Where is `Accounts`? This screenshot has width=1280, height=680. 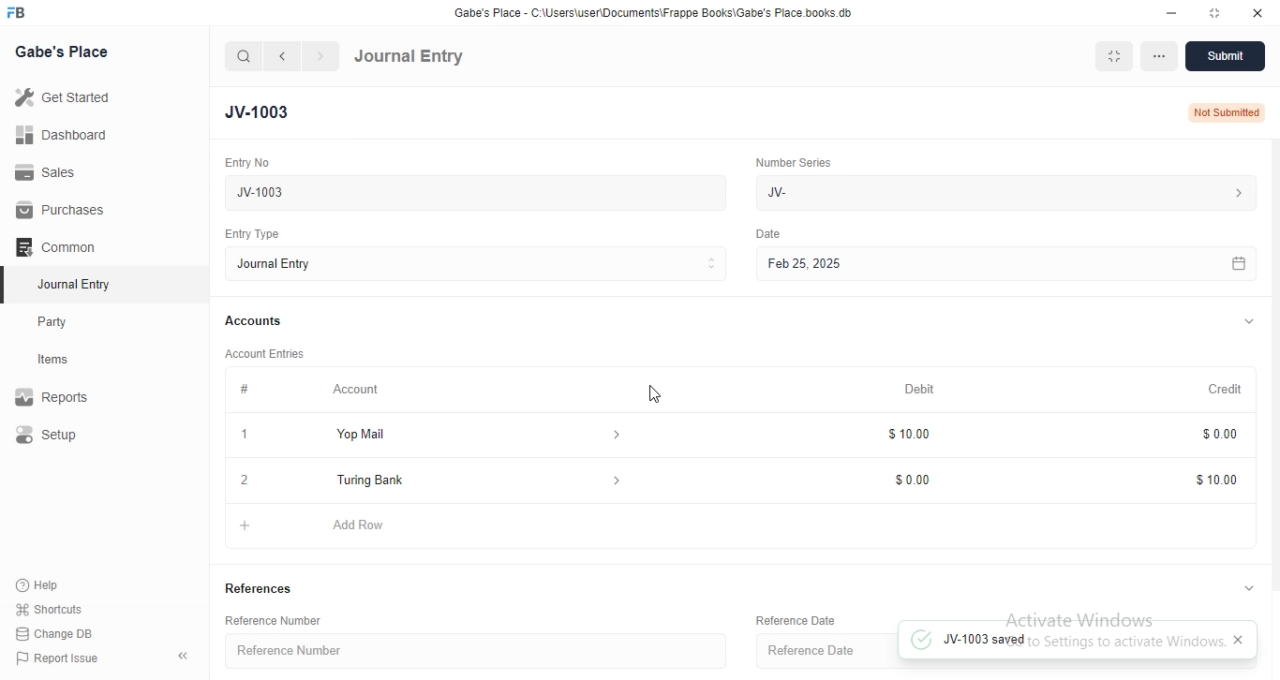
Accounts is located at coordinates (255, 322).